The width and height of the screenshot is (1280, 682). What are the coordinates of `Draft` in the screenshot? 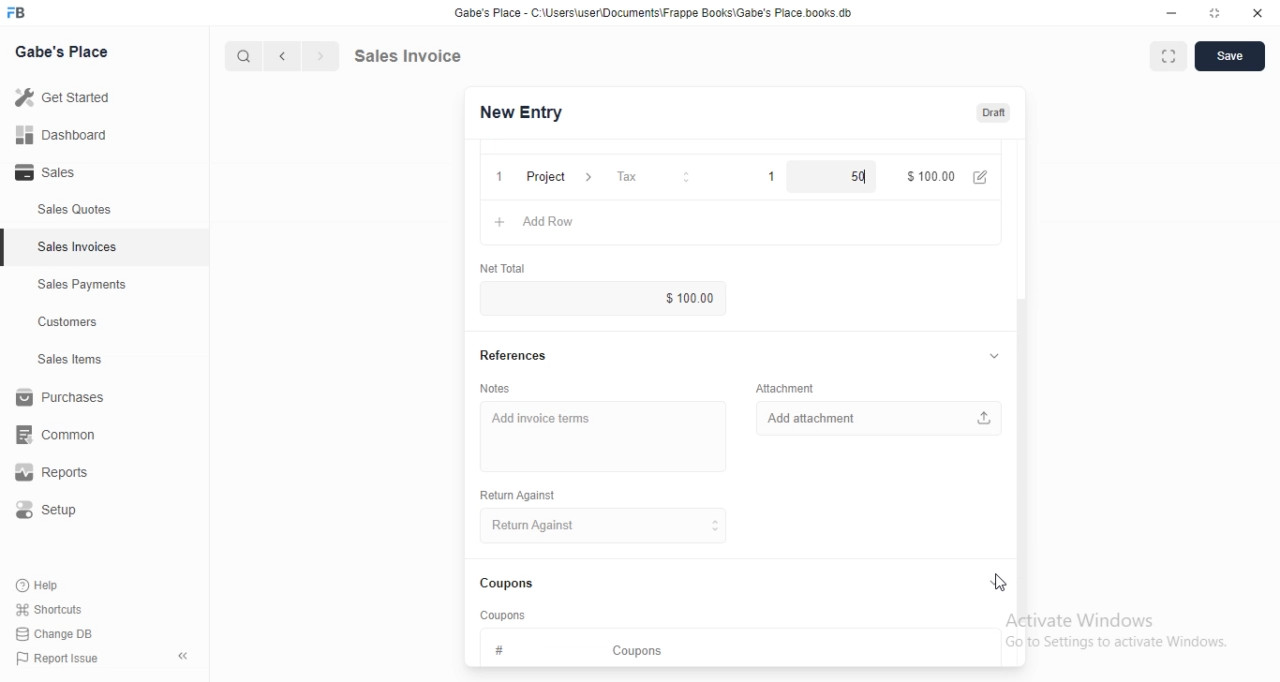 It's located at (995, 113).